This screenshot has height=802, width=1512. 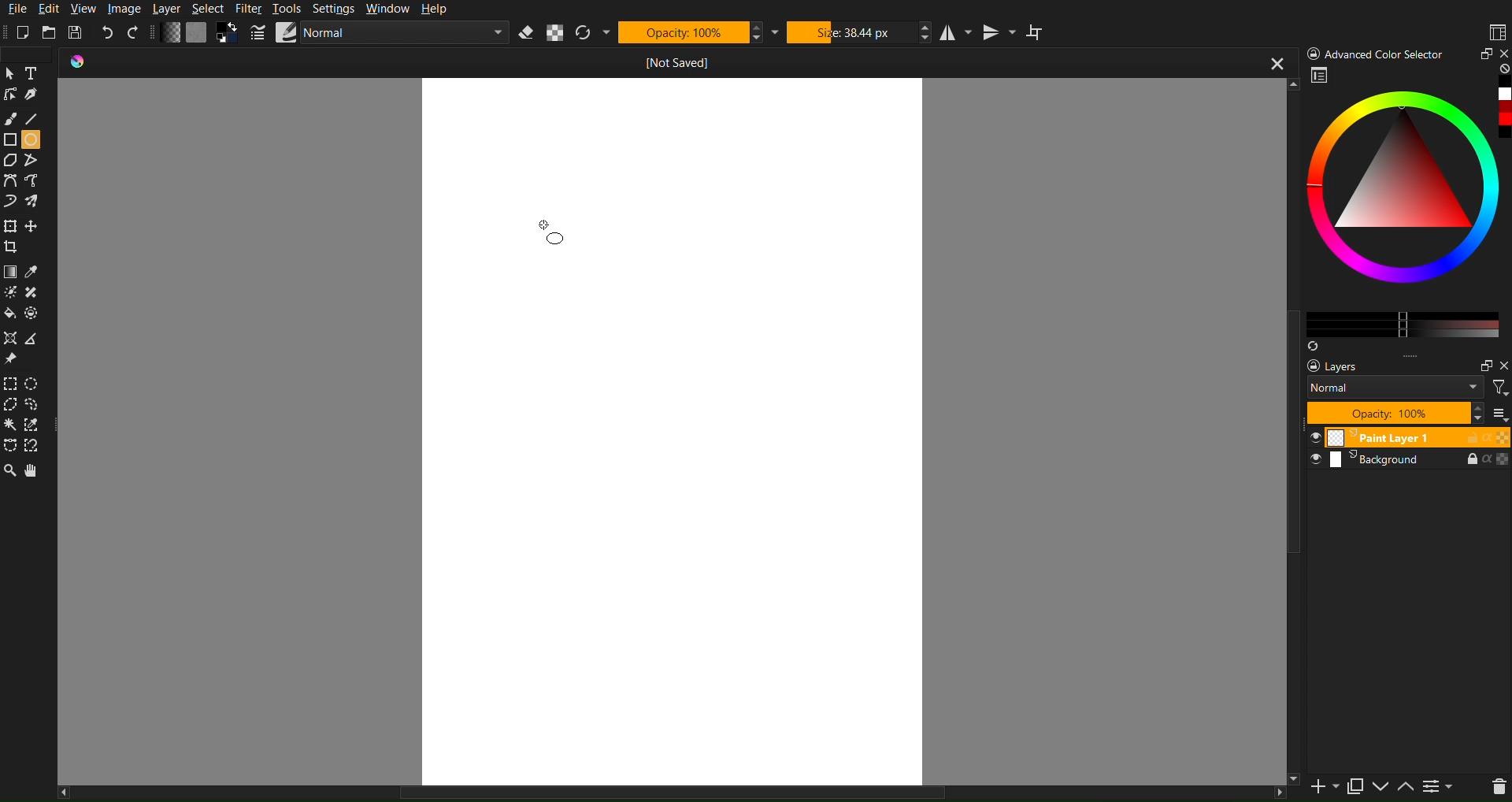 I want to click on Filter, so click(x=251, y=9).